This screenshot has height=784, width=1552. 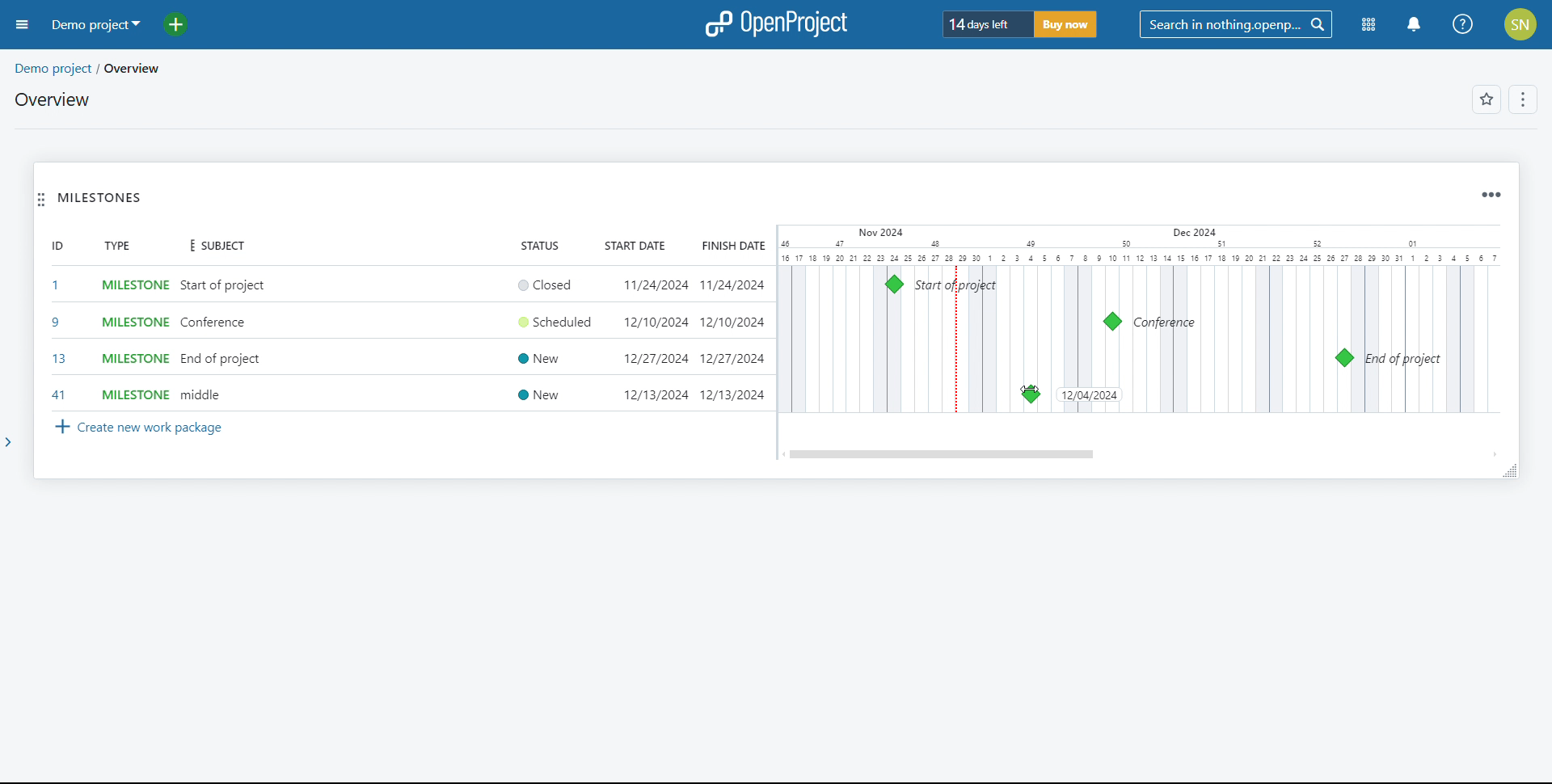 What do you see at coordinates (100, 198) in the screenshot?
I see `milestones` at bounding box center [100, 198].